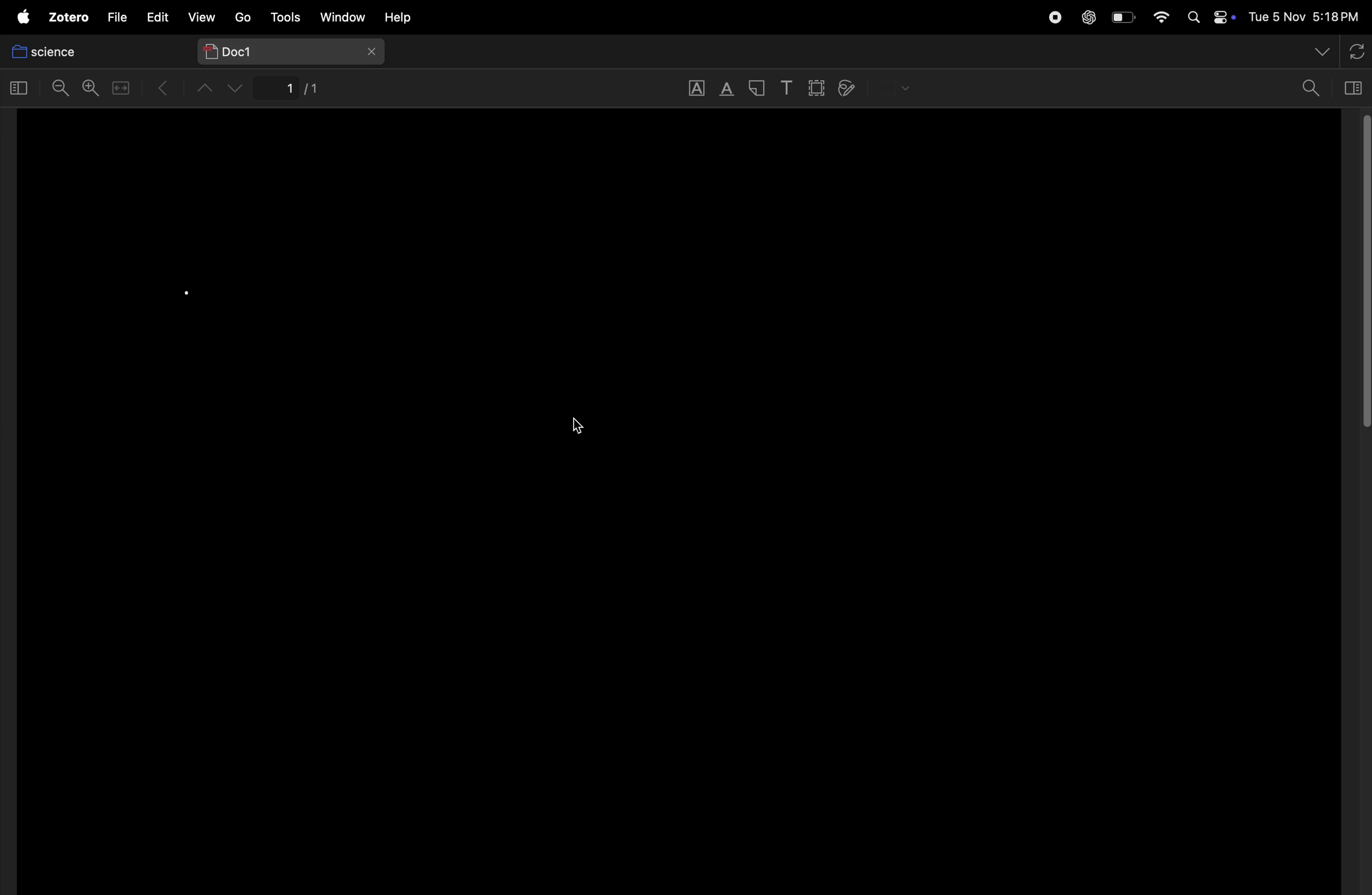 Image resolution: width=1372 pixels, height=895 pixels. Describe the element at coordinates (579, 427) in the screenshot. I see `cursor` at that location.